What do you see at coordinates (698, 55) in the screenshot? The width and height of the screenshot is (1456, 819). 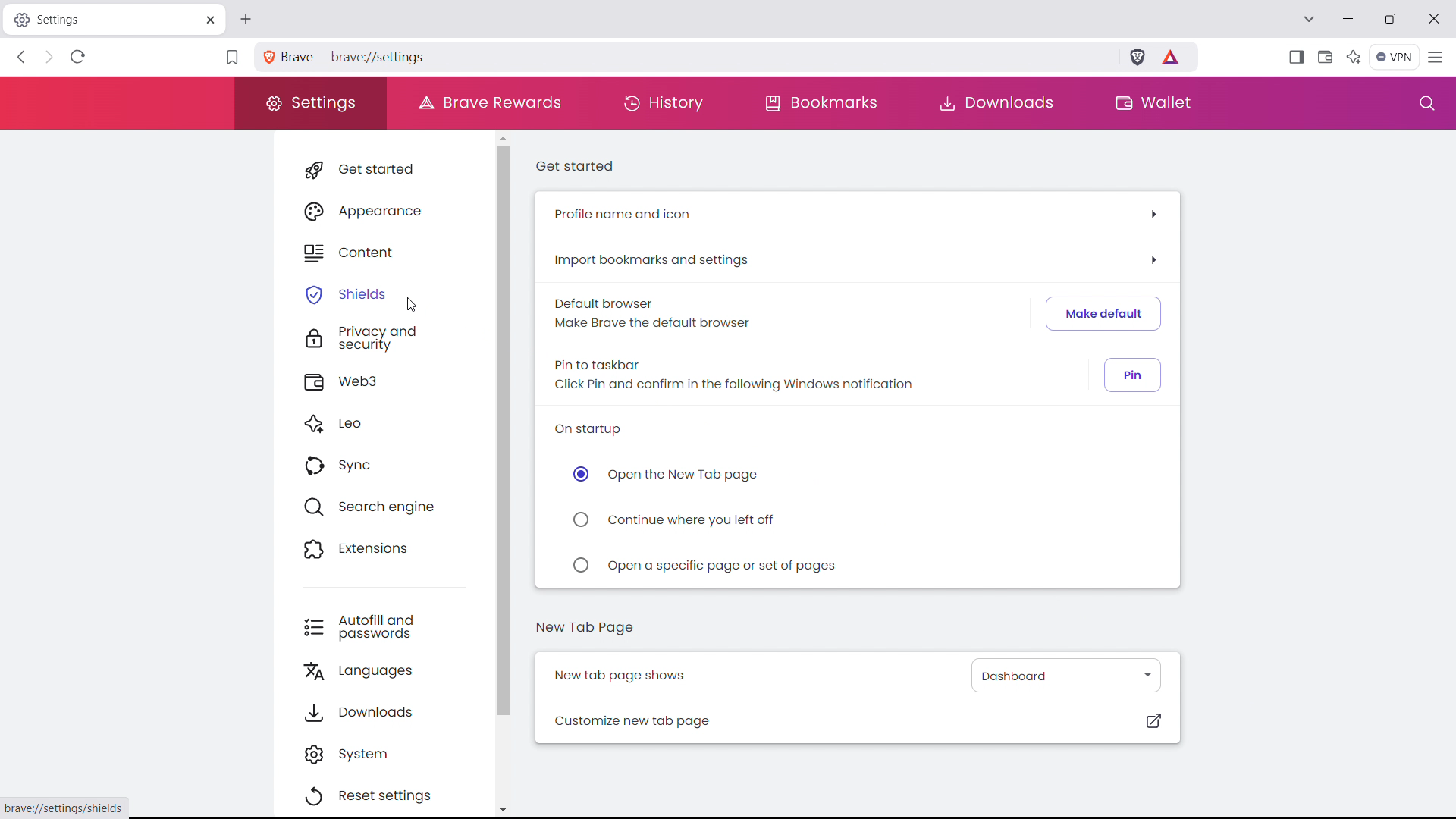 I see `search brave or type a URL` at bounding box center [698, 55].